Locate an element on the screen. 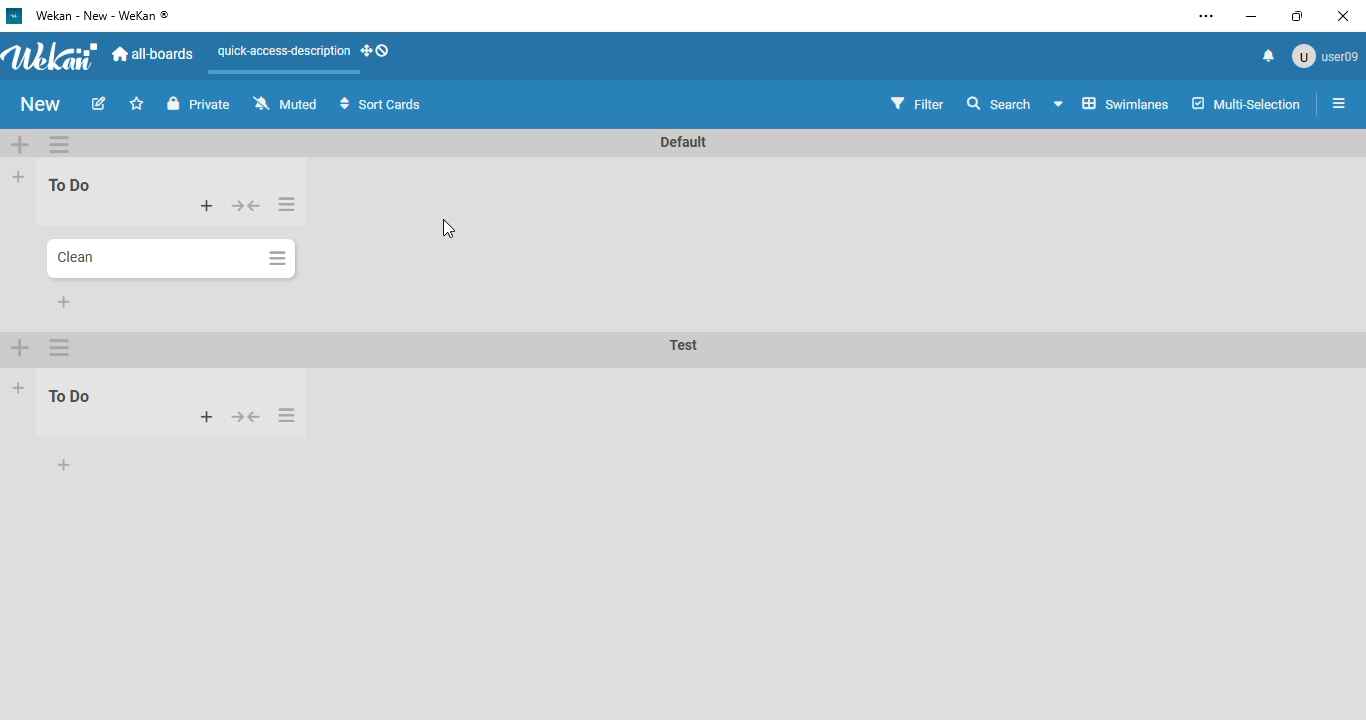 This screenshot has width=1366, height=720. collapse is located at coordinates (244, 206).